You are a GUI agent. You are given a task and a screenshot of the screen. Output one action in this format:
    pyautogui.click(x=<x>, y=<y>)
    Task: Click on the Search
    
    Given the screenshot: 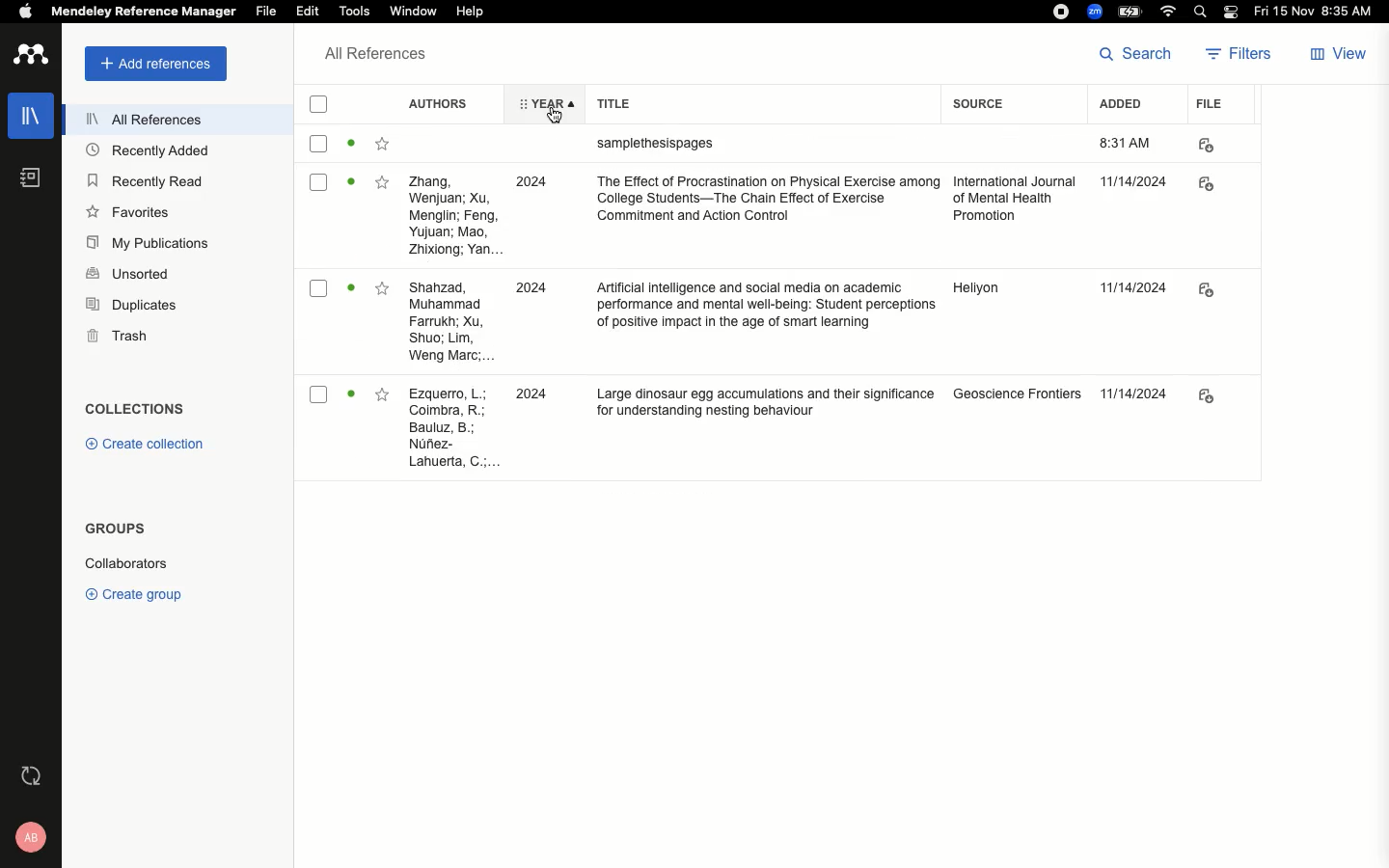 What is the action you would take?
    pyautogui.click(x=1200, y=12)
    